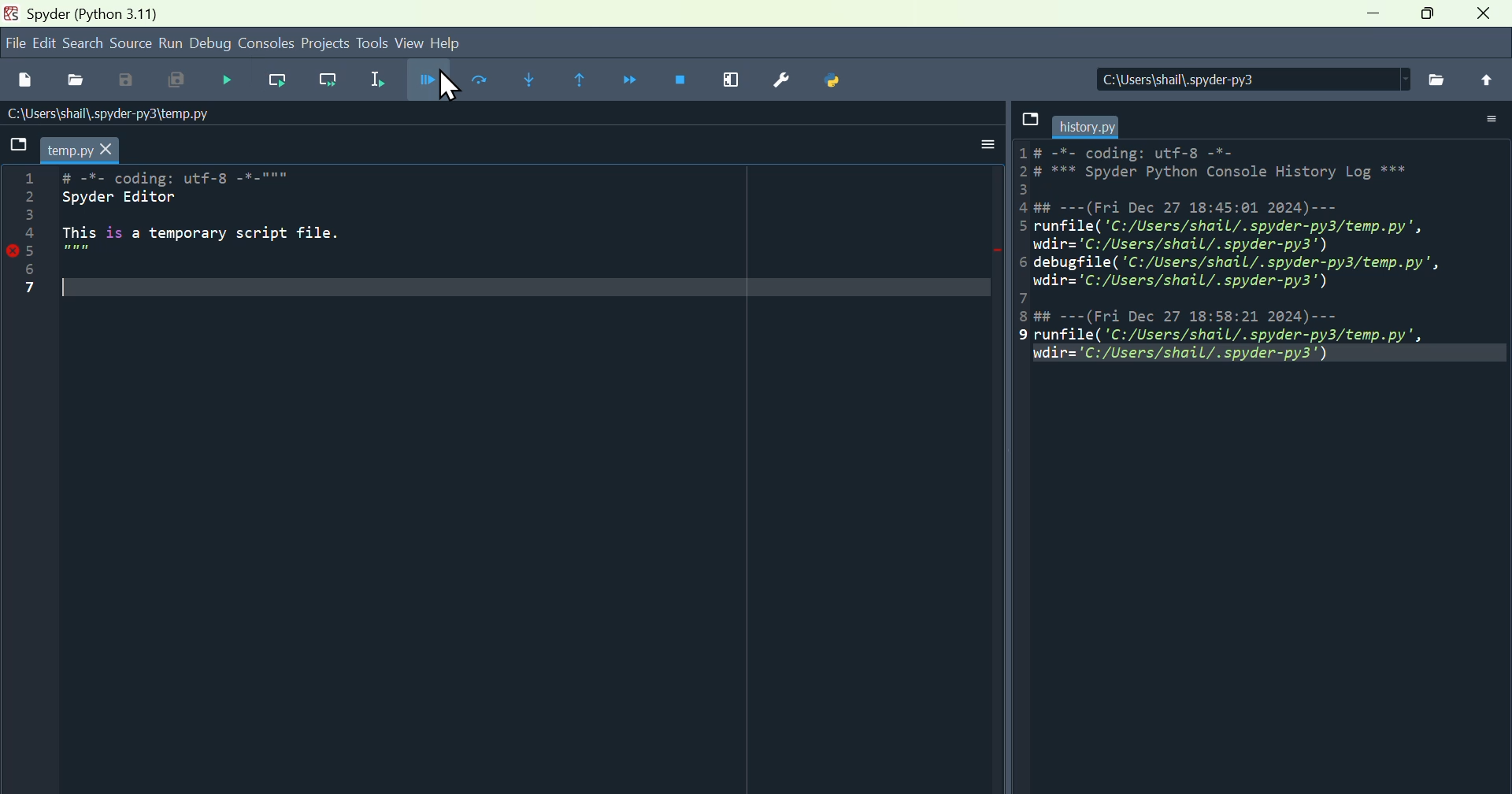  What do you see at coordinates (476, 79) in the screenshot?
I see `run current cell` at bounding box center [476, 79].